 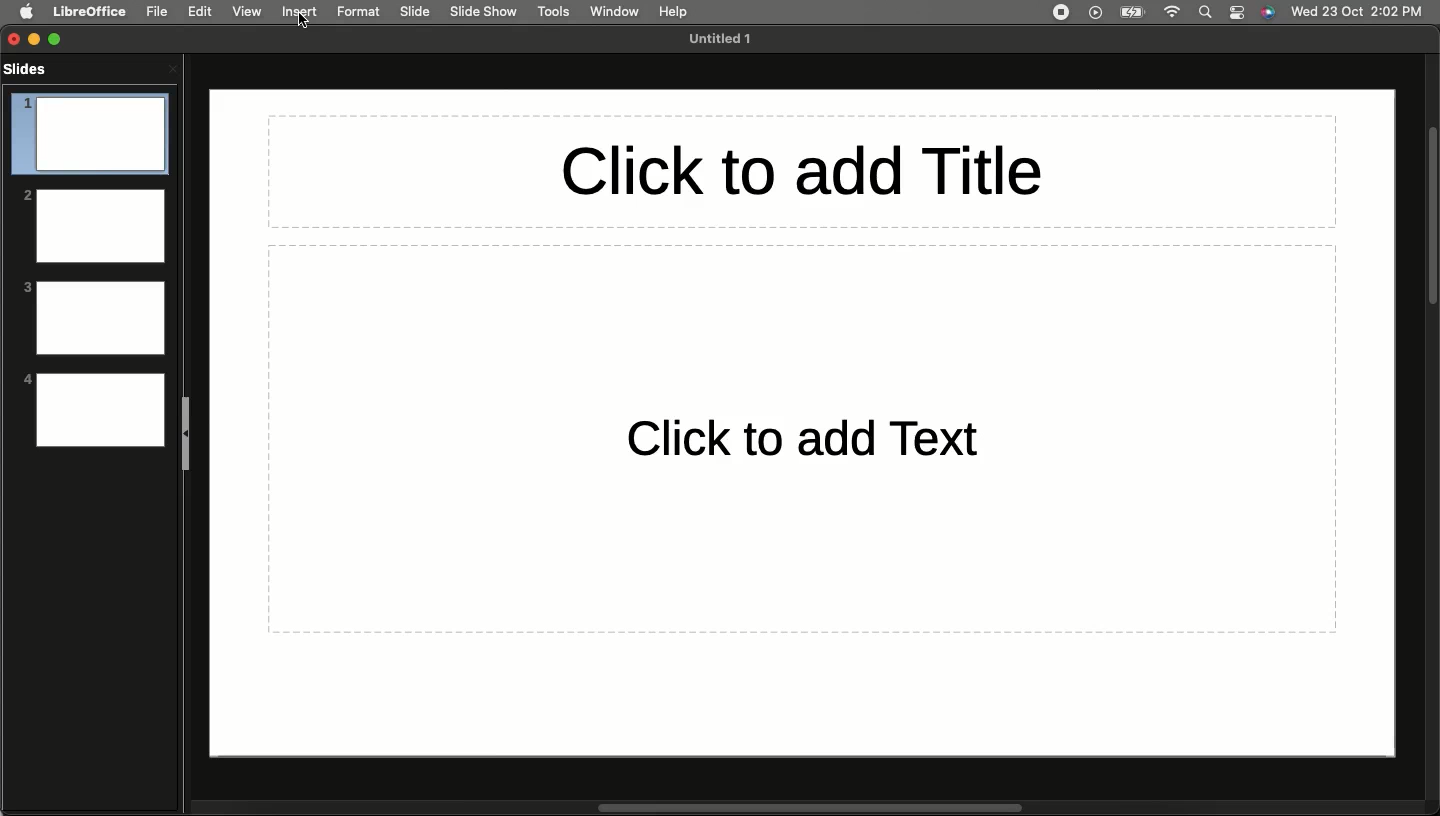 I want to click on Charge, so click(x=1132, y=12).